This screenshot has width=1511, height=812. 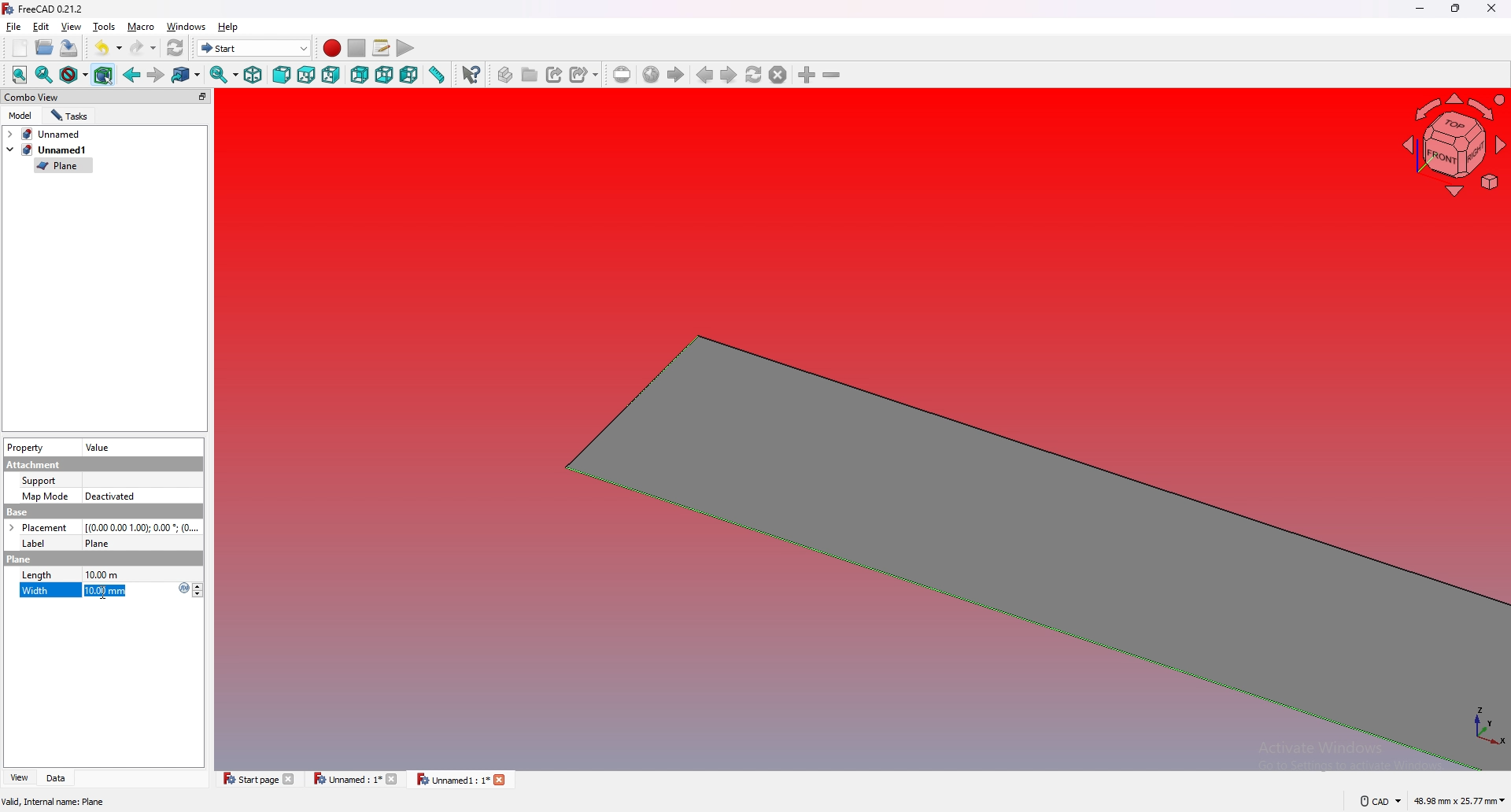 I want to click on isometric, so click(x=253, y=75).